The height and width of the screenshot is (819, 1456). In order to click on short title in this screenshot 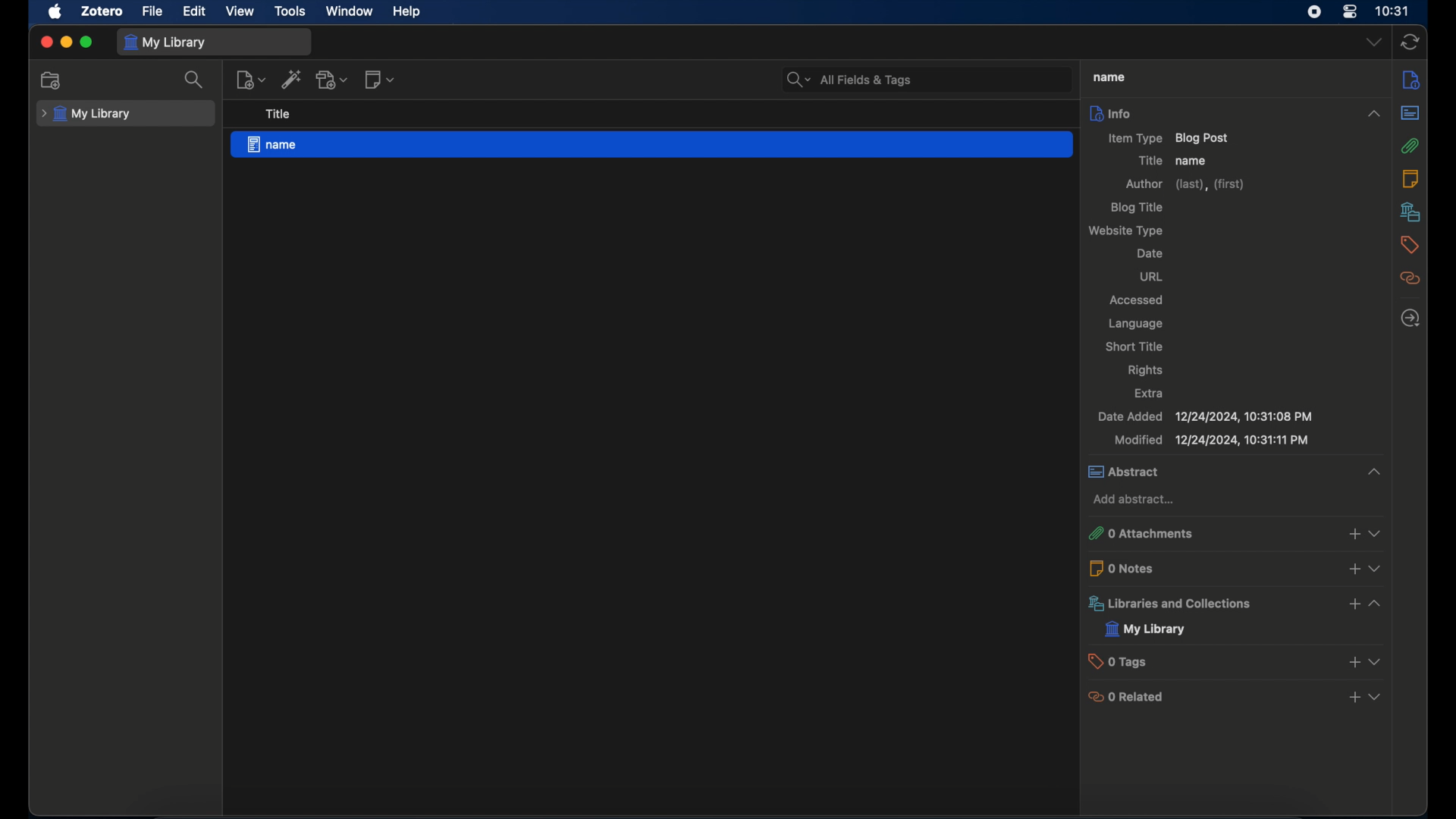, I will do `click(1134, 345)`.